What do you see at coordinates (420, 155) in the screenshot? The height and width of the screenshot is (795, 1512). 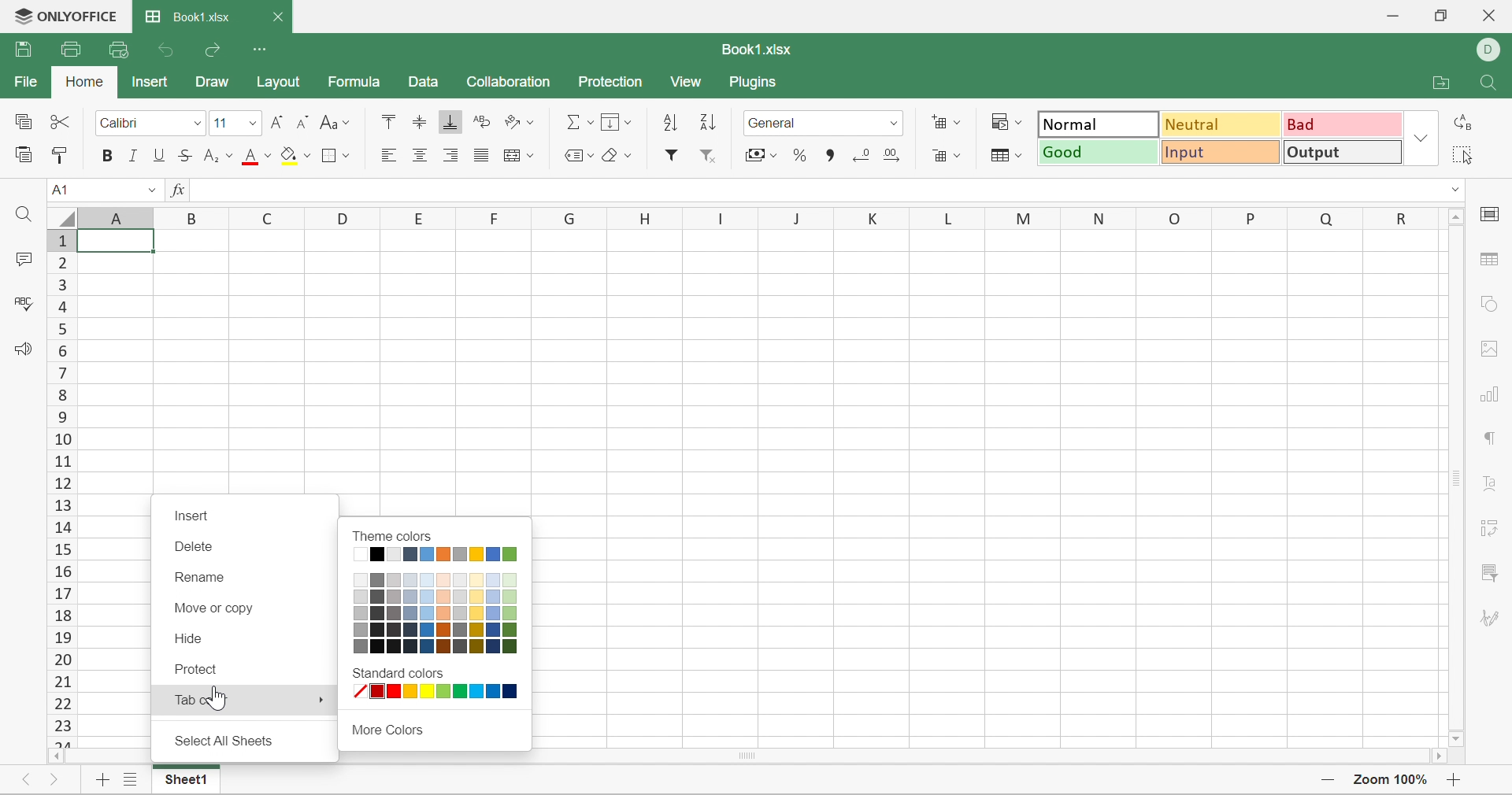 I see `Align center` at bounding box center [420, 155].